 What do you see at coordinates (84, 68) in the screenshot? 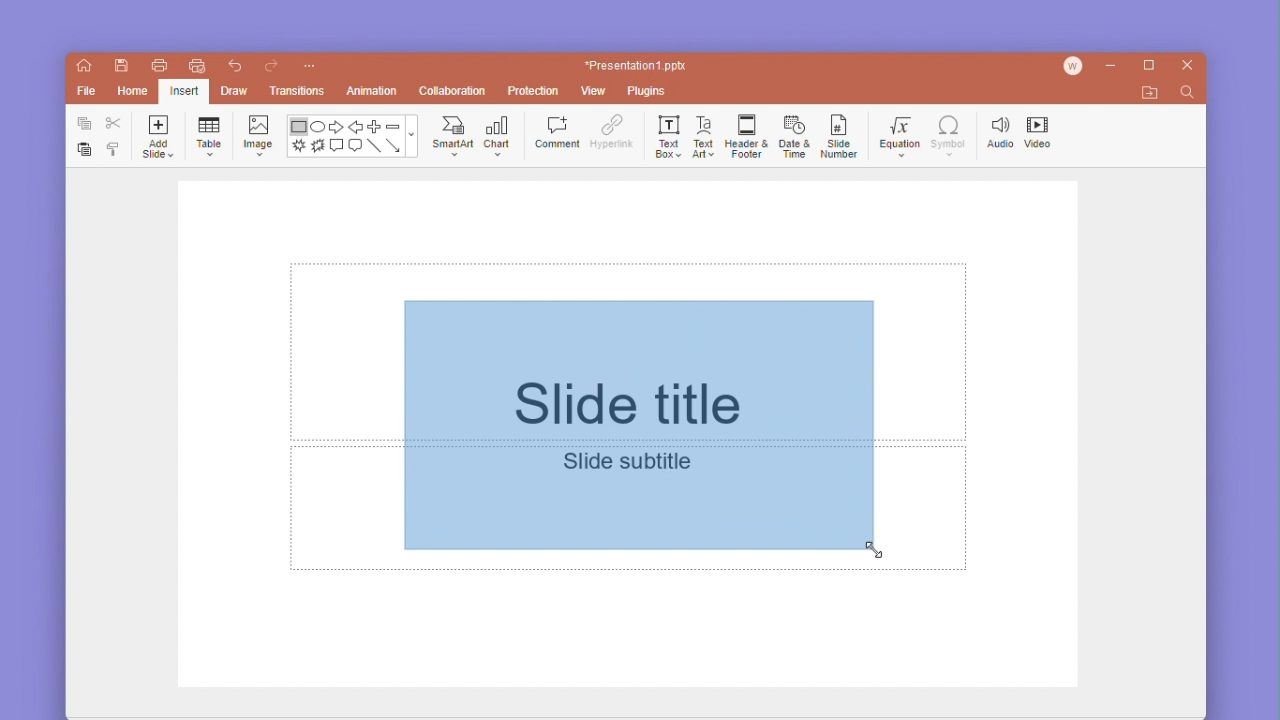
I see `home` at bounding box center [84, 68].